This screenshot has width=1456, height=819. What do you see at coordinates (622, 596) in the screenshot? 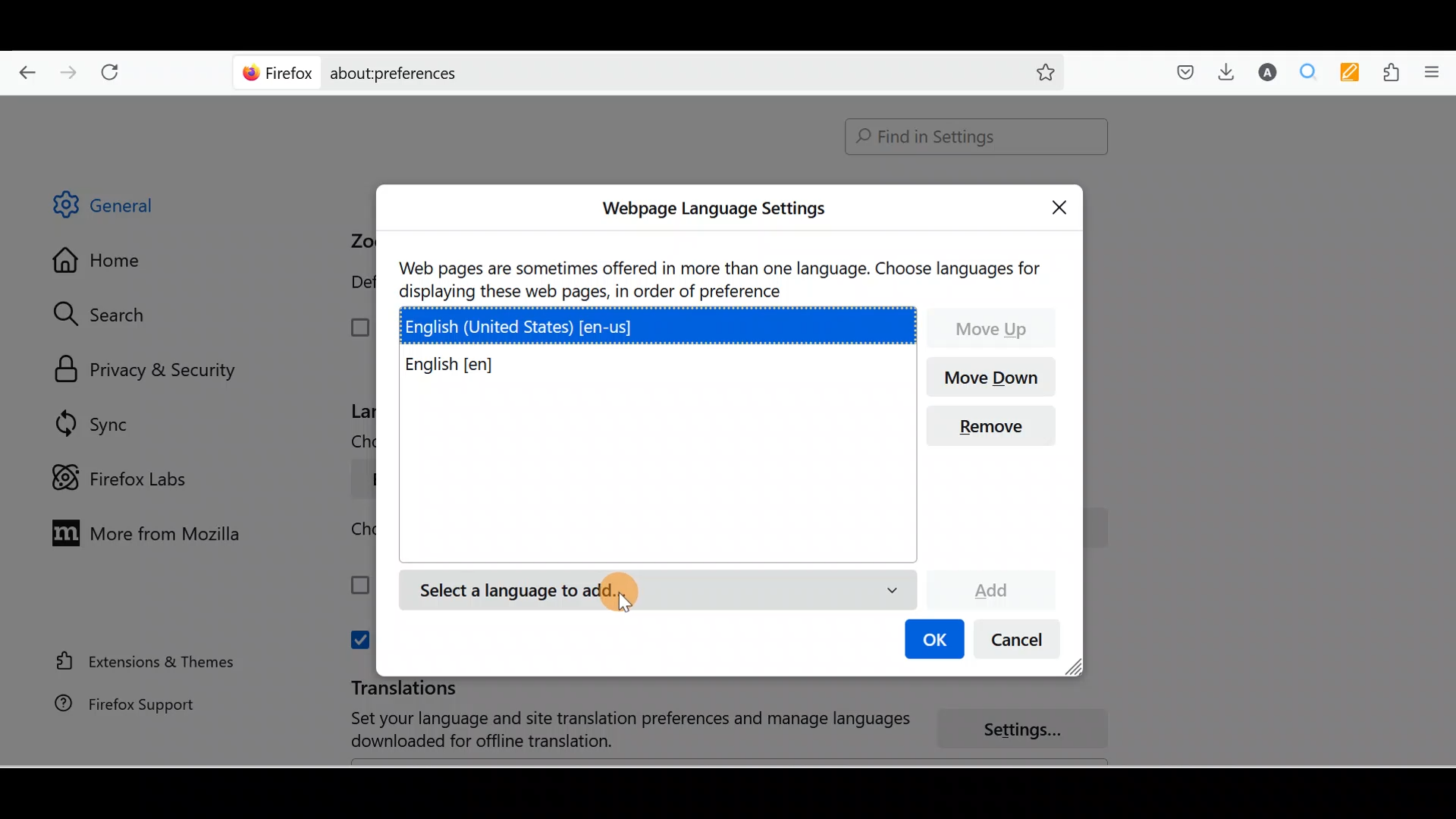
I see `Cursor` at bounding box center [622, 596].